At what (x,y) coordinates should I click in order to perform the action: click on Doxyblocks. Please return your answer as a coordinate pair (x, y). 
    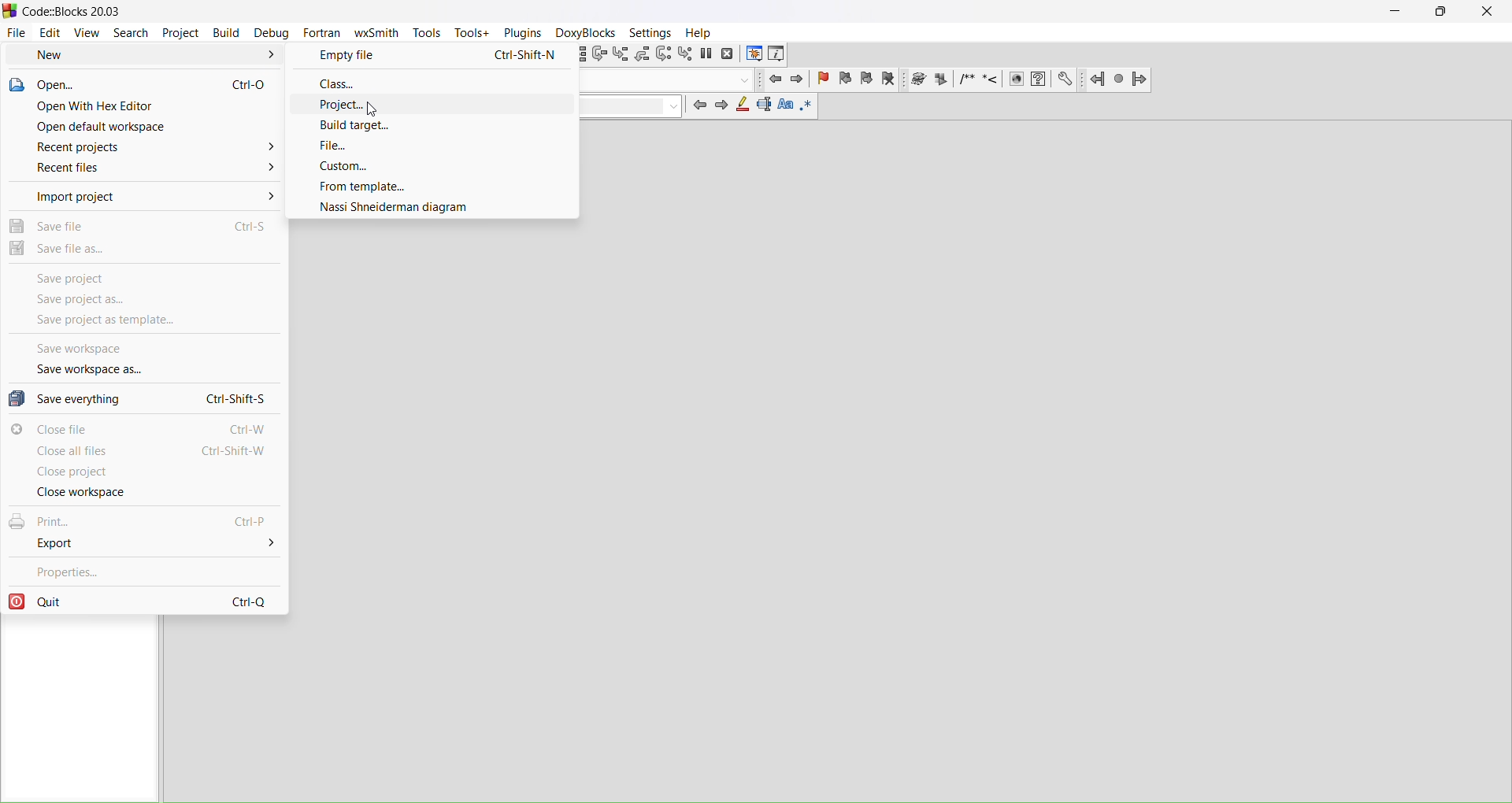
    Looking at the image, I should click on (586, 33).